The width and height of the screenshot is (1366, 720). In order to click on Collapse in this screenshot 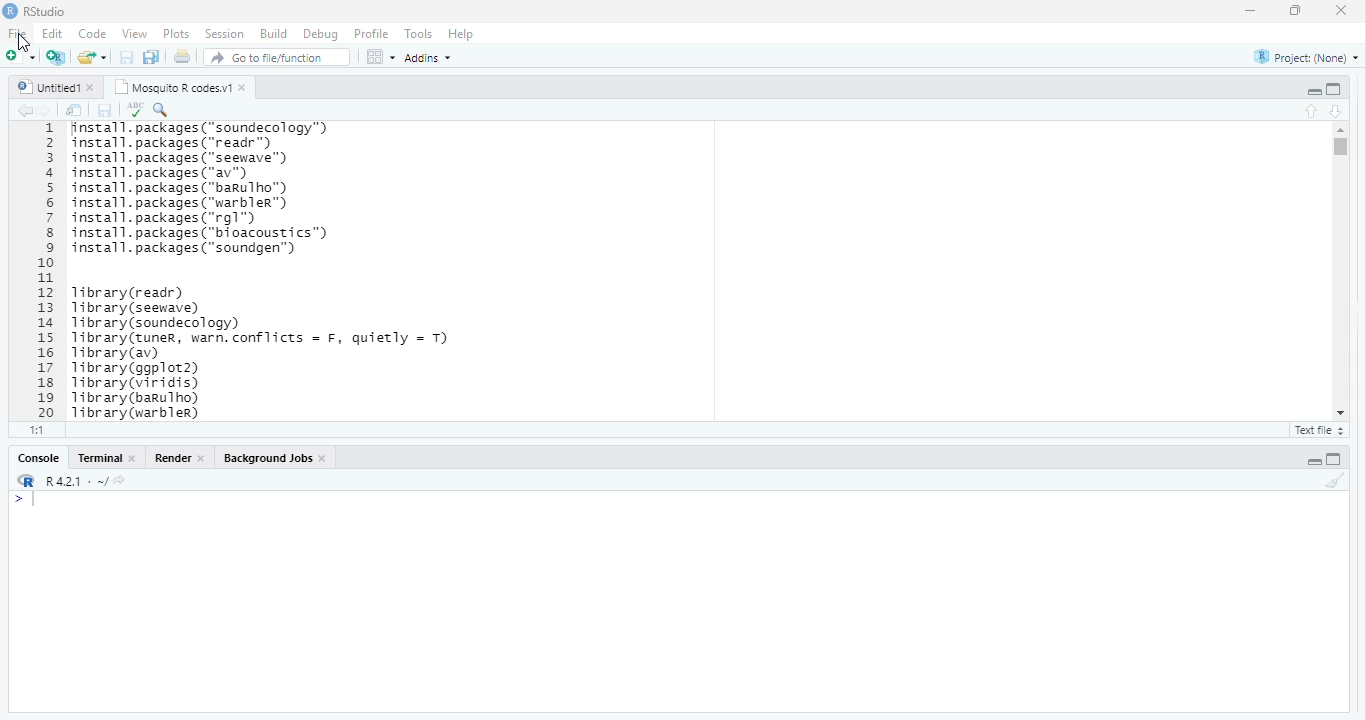, I will do `click(1314, 92)`.